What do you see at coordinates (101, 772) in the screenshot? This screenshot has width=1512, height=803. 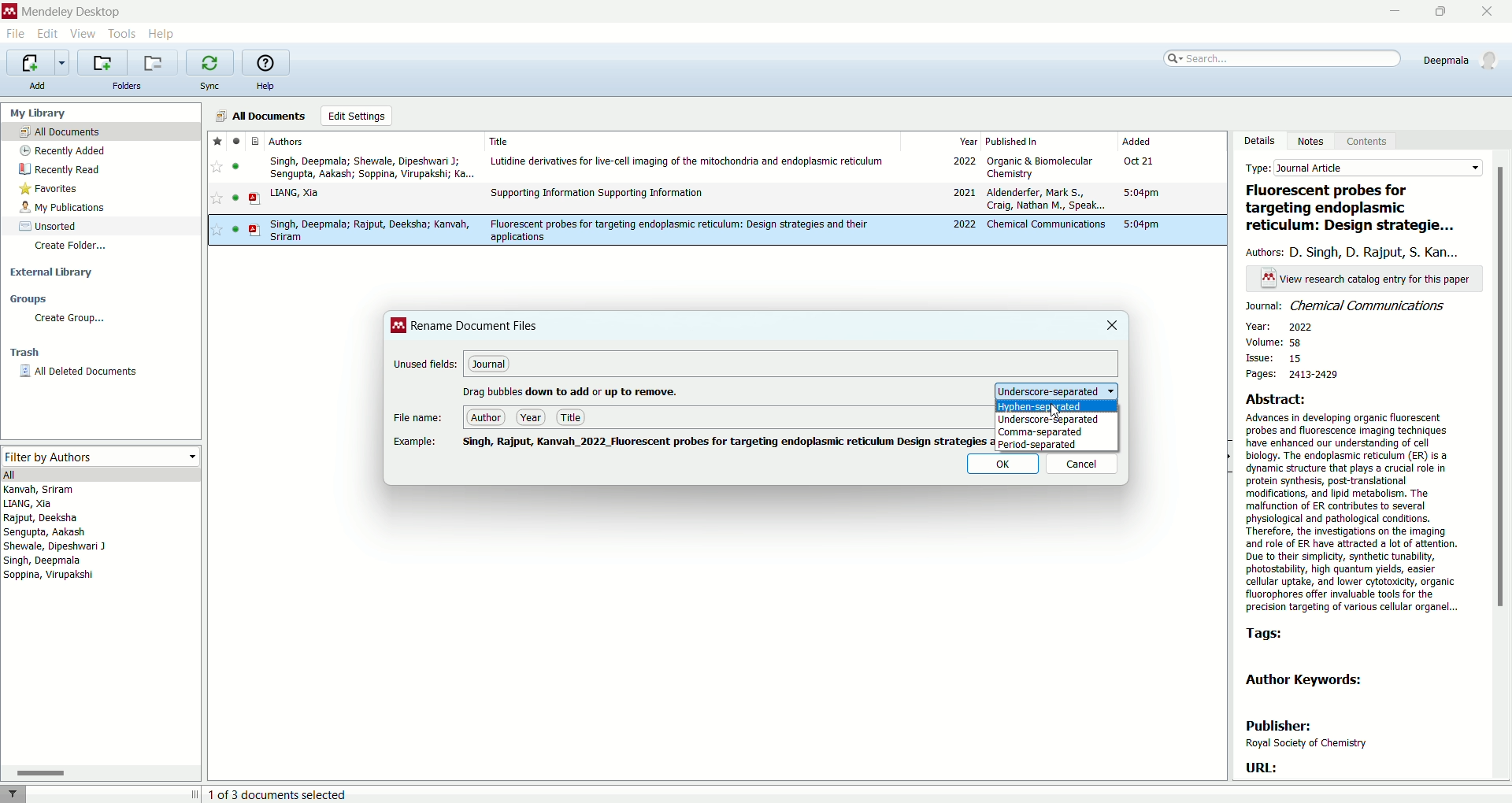 I see `Horizontal scroll bar` at bounding box center [101, 772].